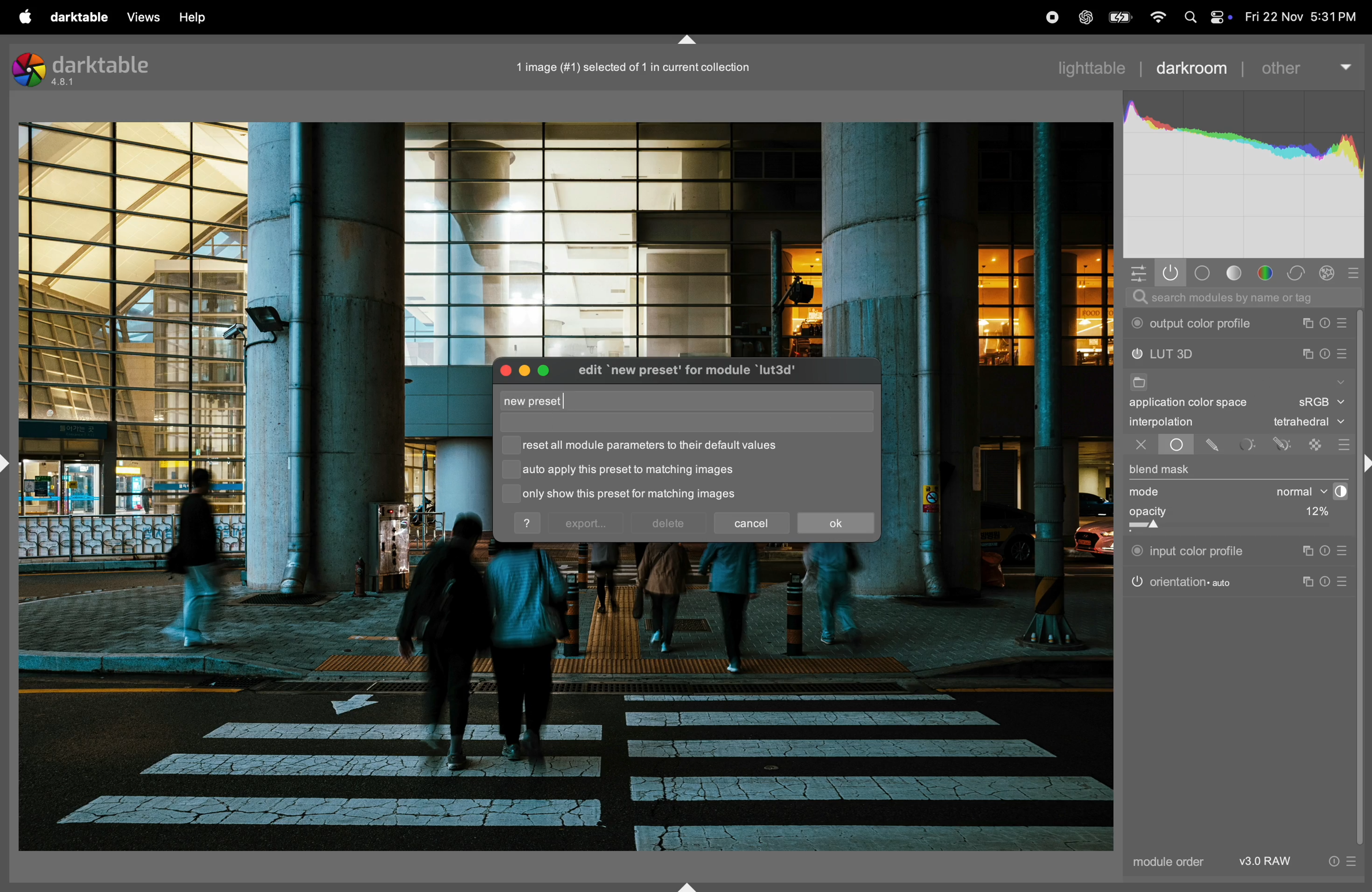 The image size is (1372, 892). I want to click on reset parameters, so click(1330, 580).